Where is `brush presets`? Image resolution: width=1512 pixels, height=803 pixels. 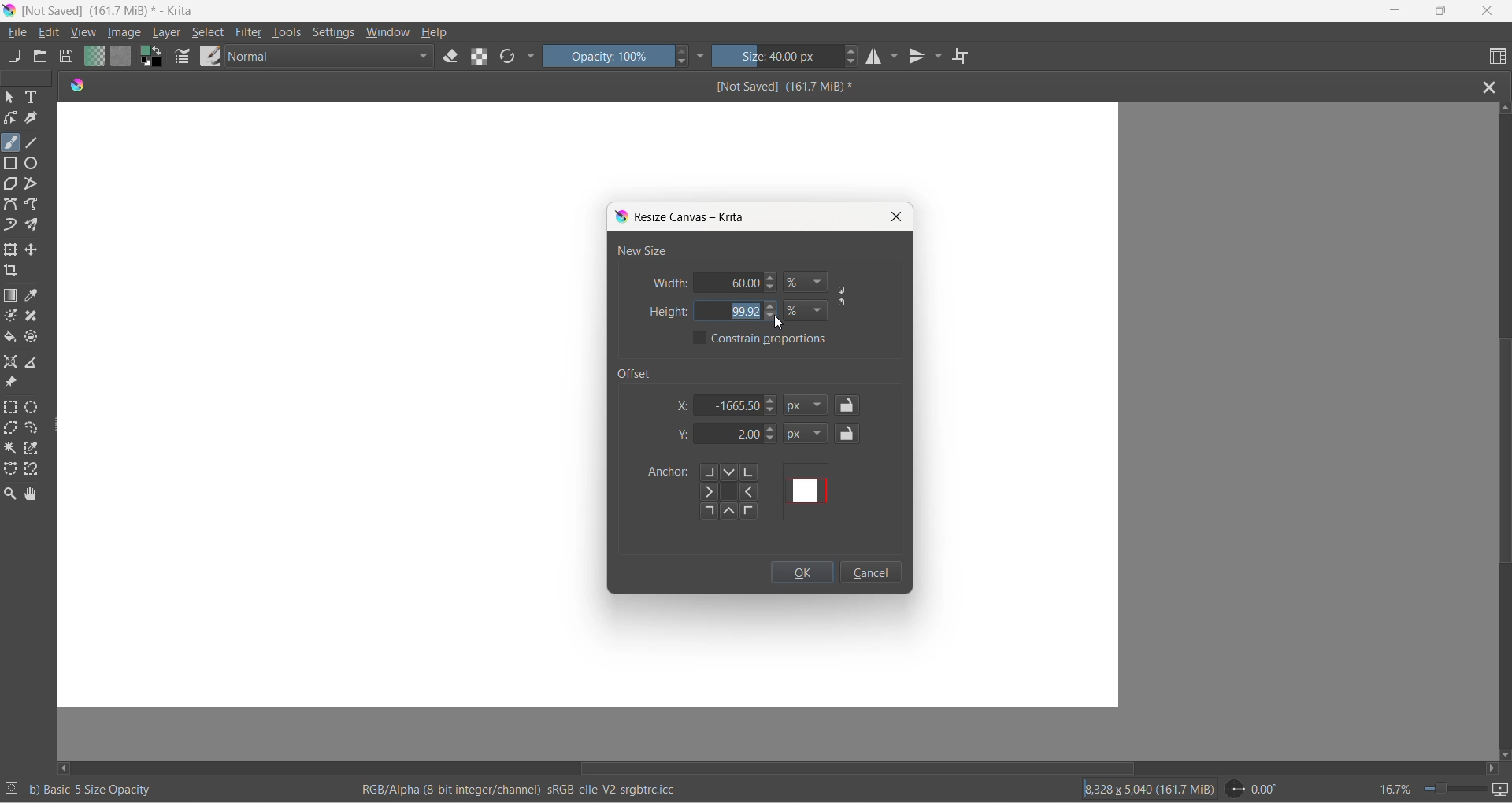
brush presets is located at coordinates (210, 56).